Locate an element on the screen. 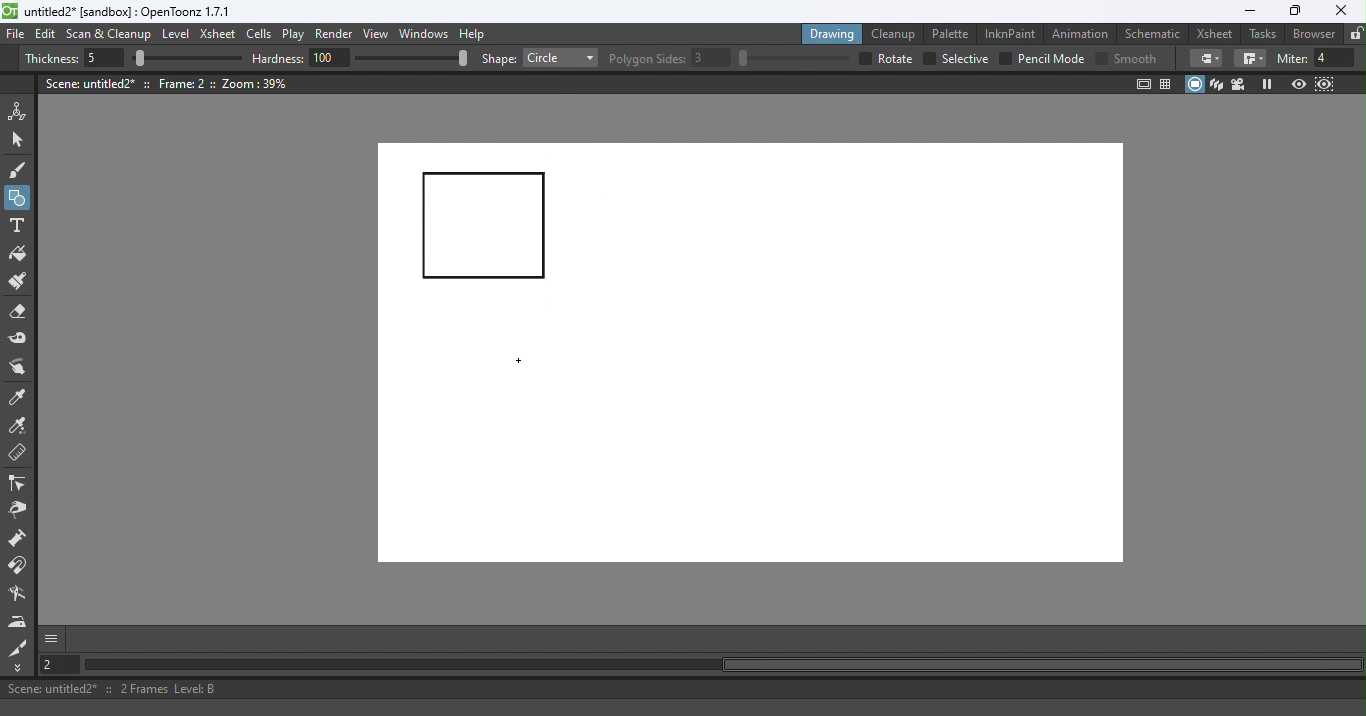 Image resolution: width=1366 pixels, height=716 pixels. checkbox is located at coordinates (863, 58).